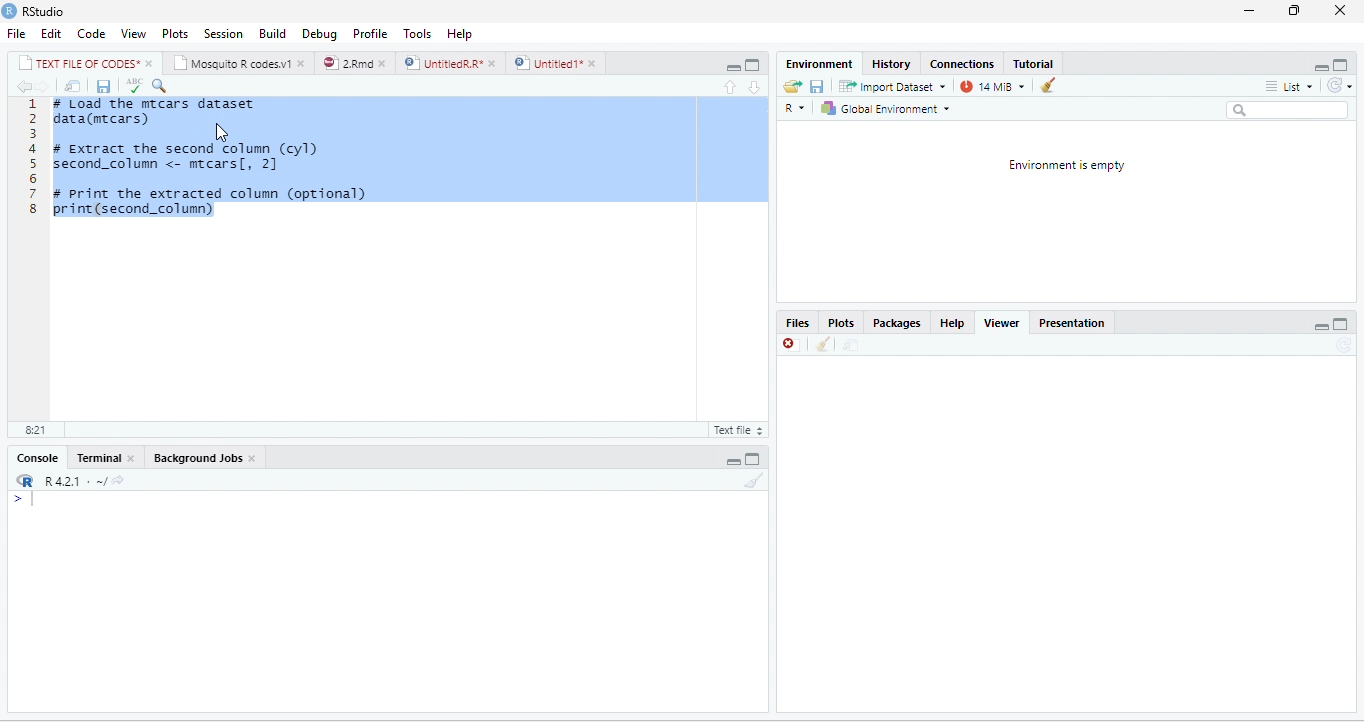  Describe the element at coordinates (371, 32) in the screenshot. I see `Profile` at that location.